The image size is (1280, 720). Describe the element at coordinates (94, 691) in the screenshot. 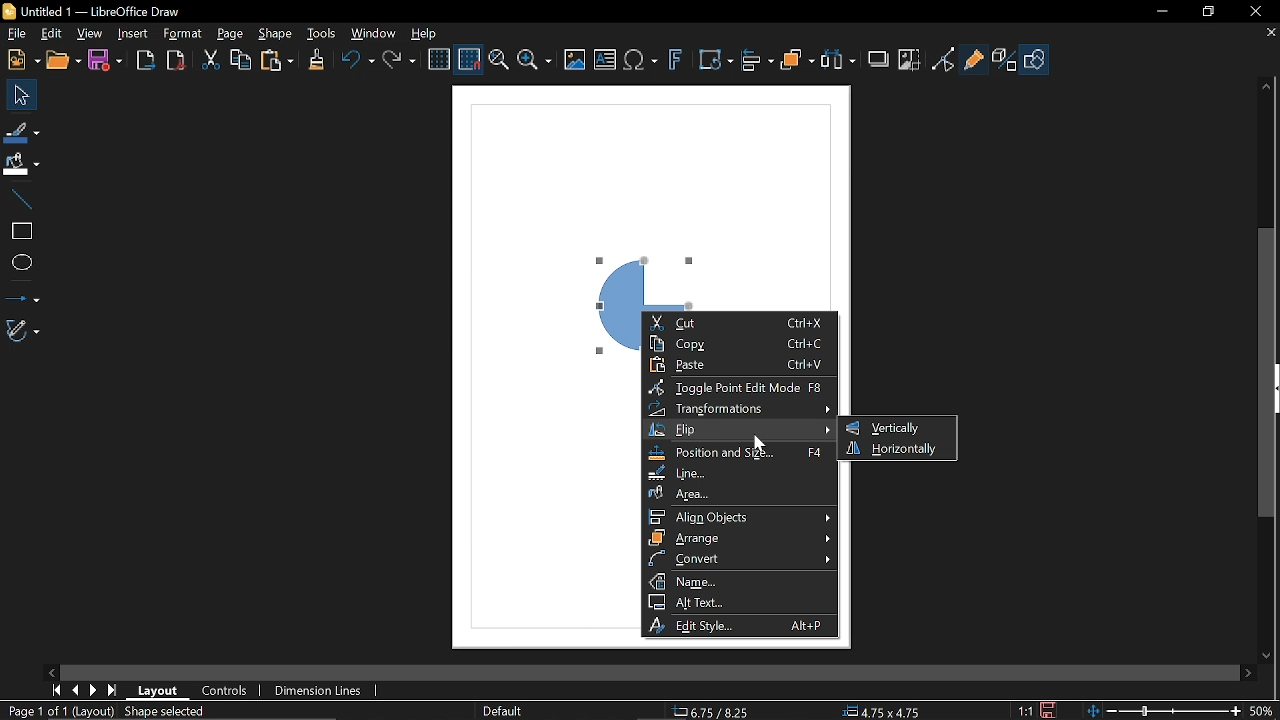

I see `Next page` at that location.